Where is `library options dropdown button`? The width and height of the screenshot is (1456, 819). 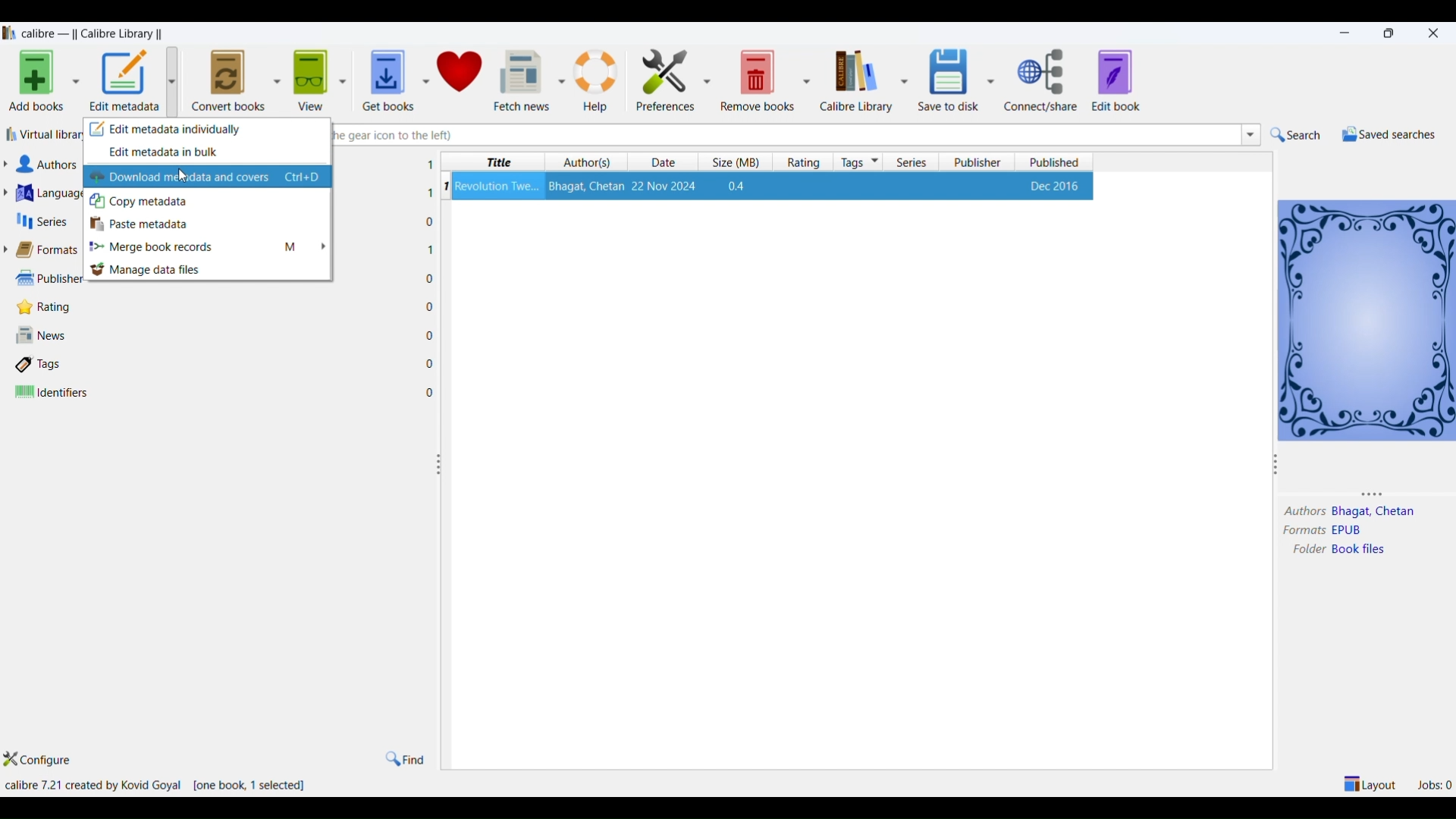
library options dropdown button is located at coordinates (902, 79).